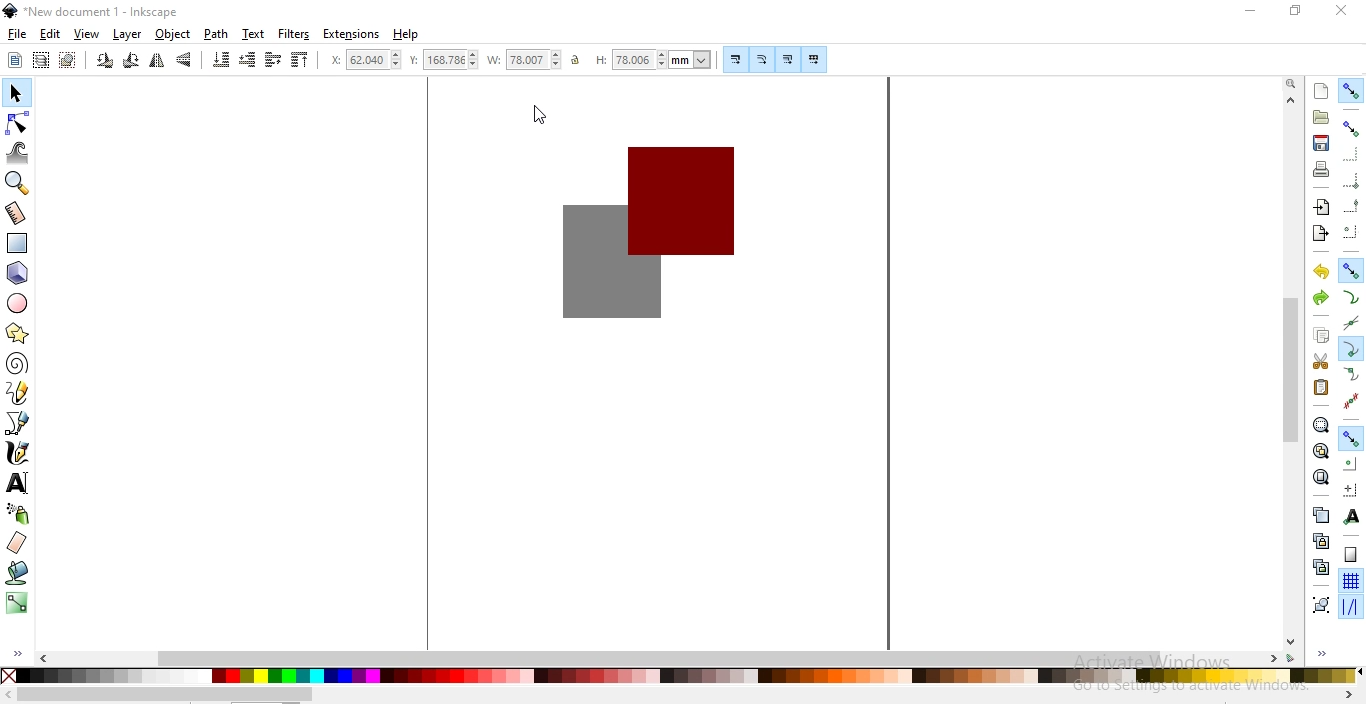 Image resolution: width=1366 pixels, height=704 pixels. Describe the element at coordinates (219, 60) in the screenshot. I see `lower selection to bottom` at that location.